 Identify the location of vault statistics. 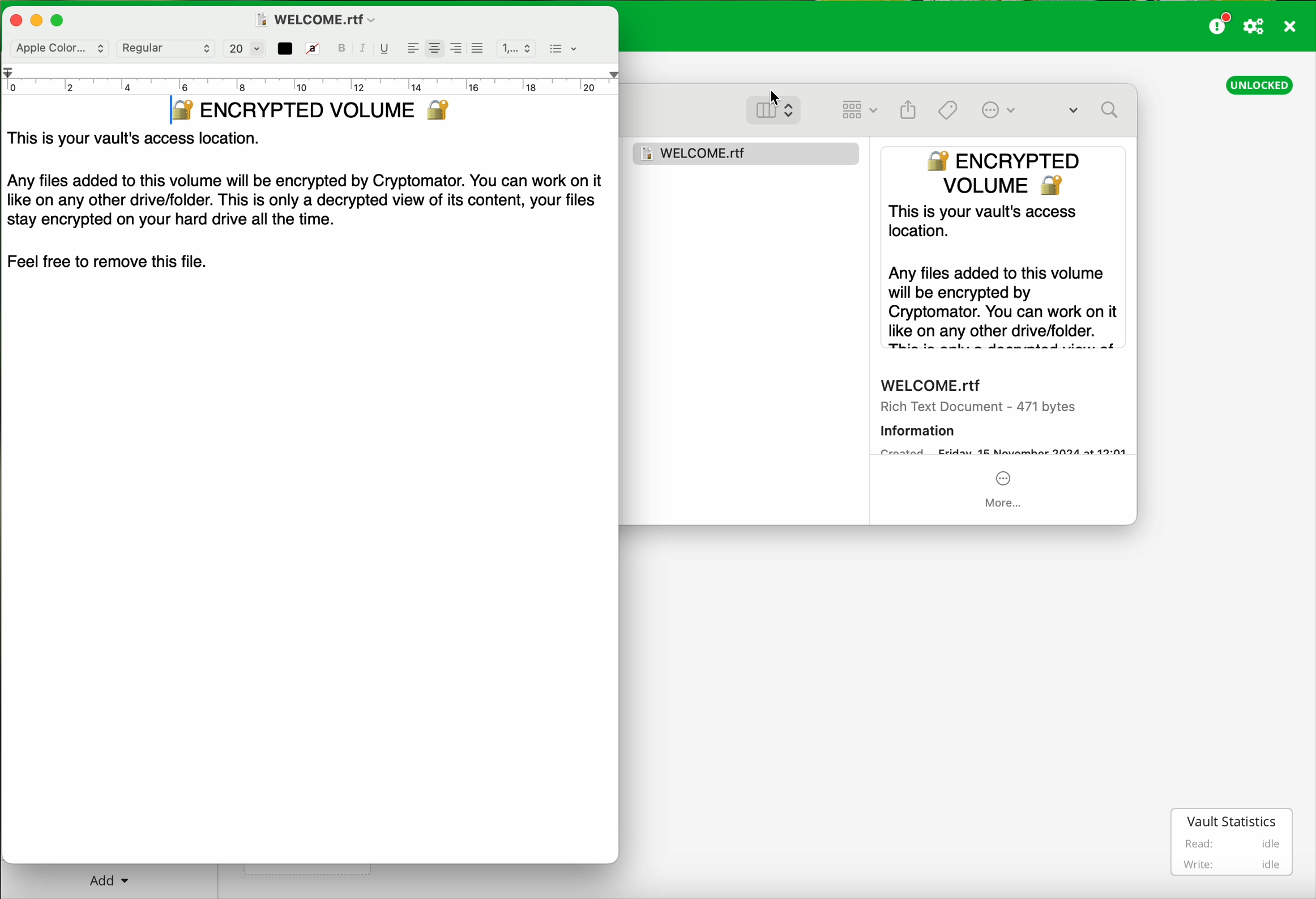
(1234, 842).